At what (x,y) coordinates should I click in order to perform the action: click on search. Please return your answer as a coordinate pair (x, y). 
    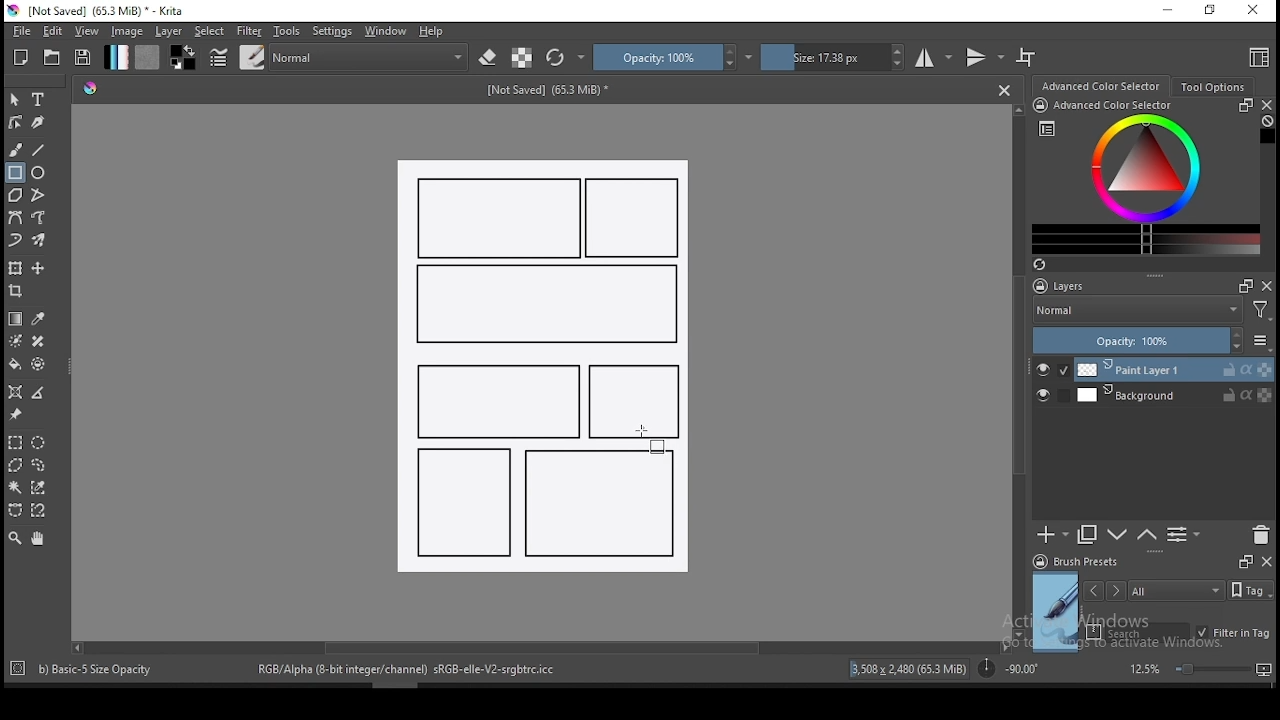
    Looking at the image, I should click on (1138, 632).